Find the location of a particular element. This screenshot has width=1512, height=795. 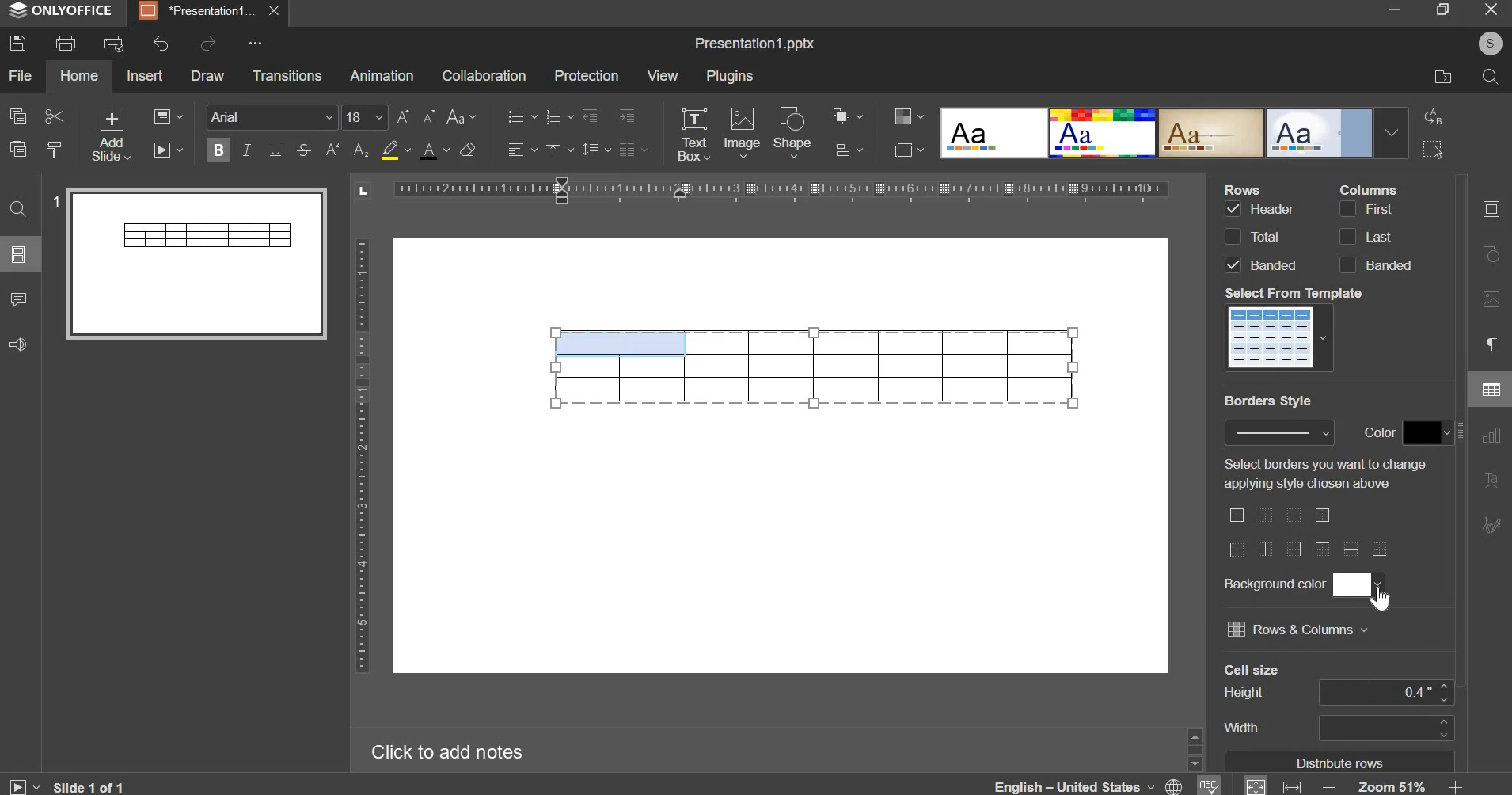

border style is located at coordinates (1279, 432).